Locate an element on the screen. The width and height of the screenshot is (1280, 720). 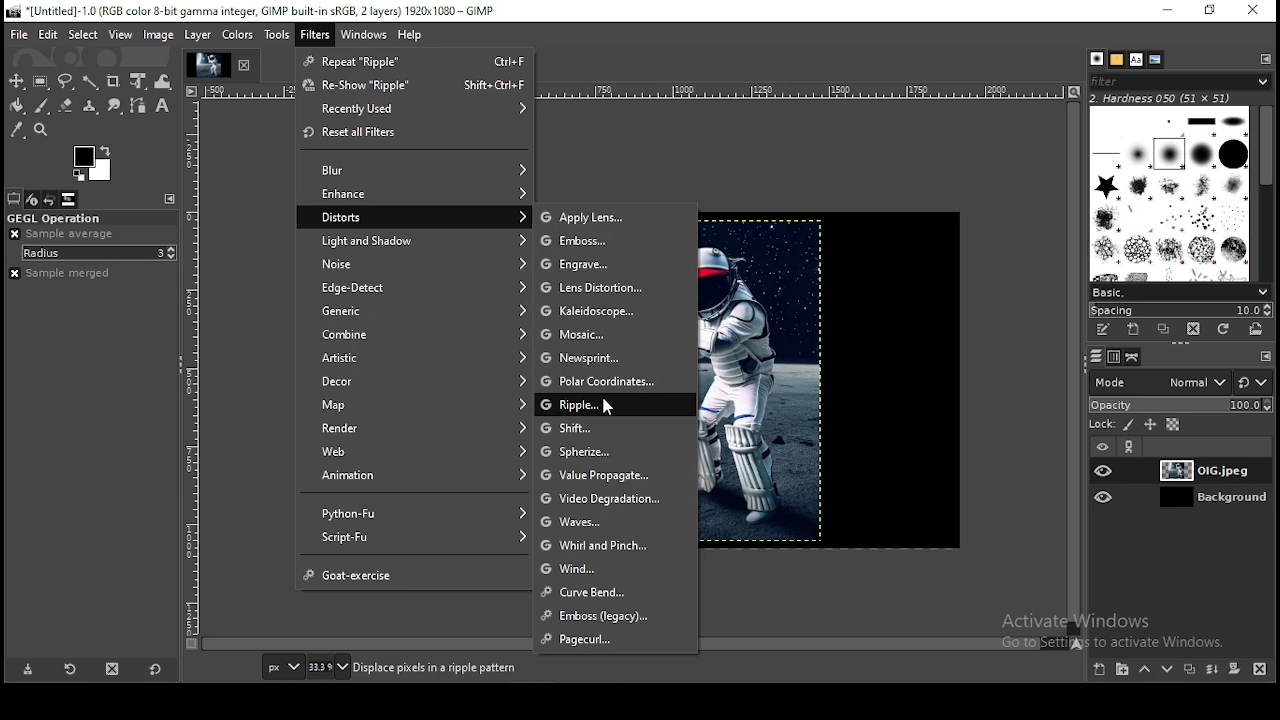
map is located at coordinates (422, 403).